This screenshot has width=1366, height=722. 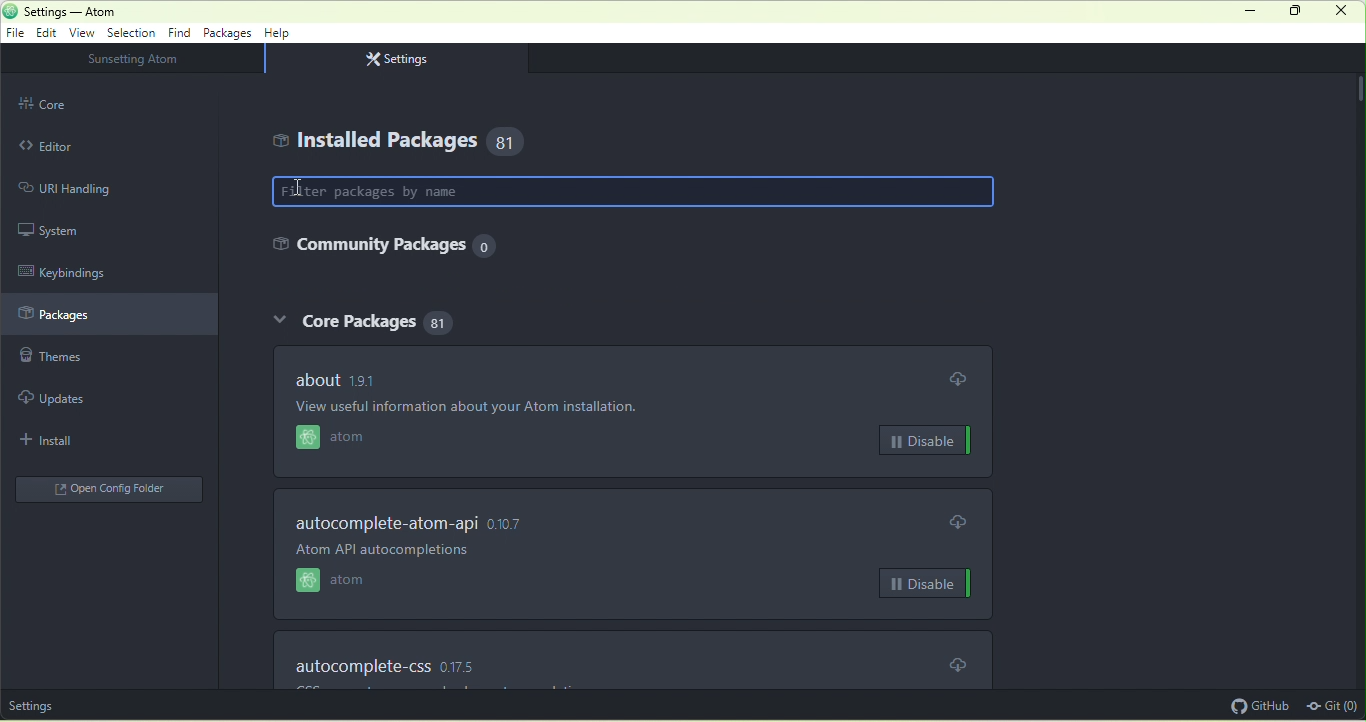 What do you see at coordinates (86, 187) in the screenshot?
I see `uri handling` at bounding box center [86, 187].